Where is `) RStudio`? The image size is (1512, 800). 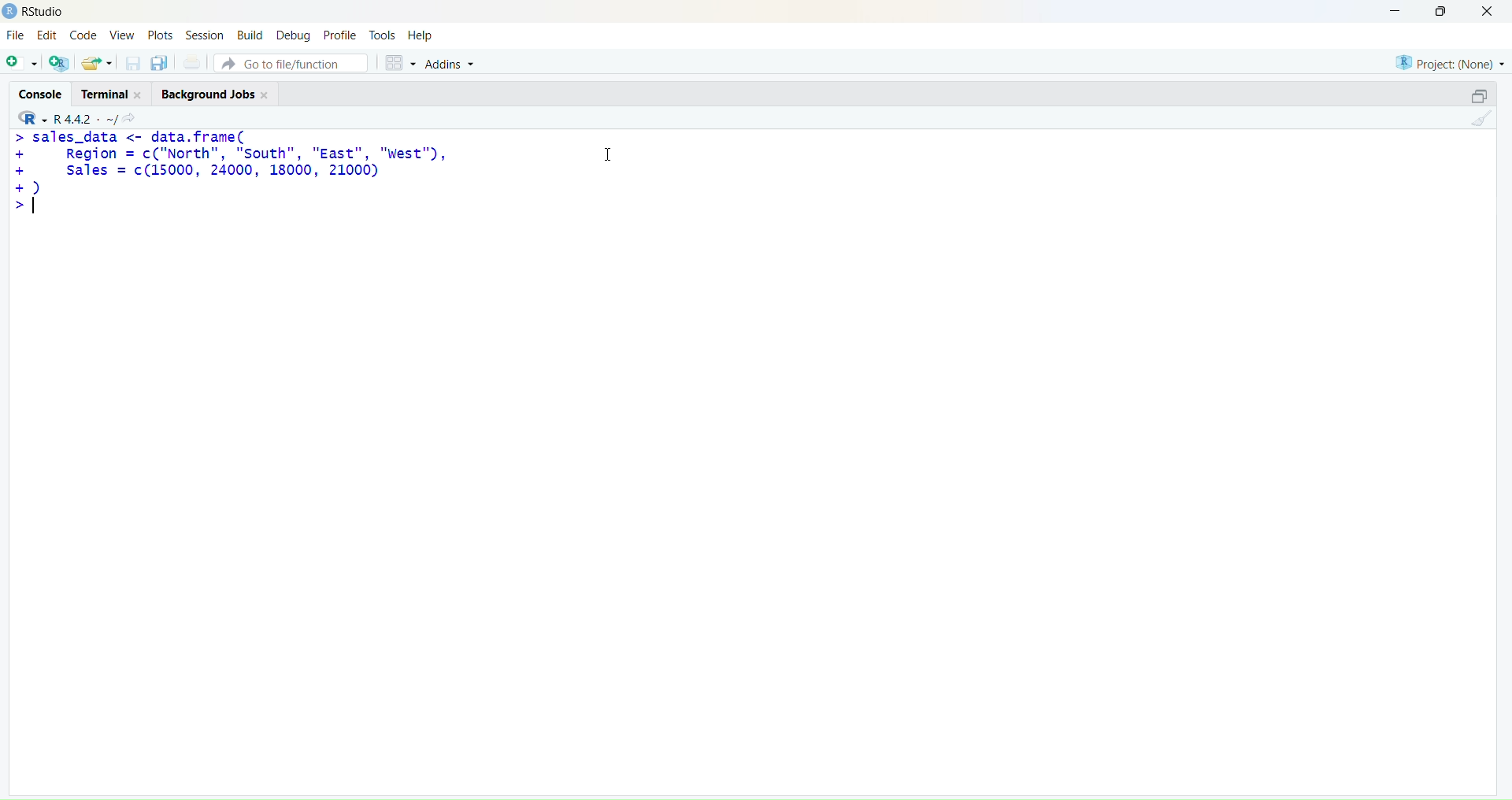
) RStudio is located at coordinates (40, 9).